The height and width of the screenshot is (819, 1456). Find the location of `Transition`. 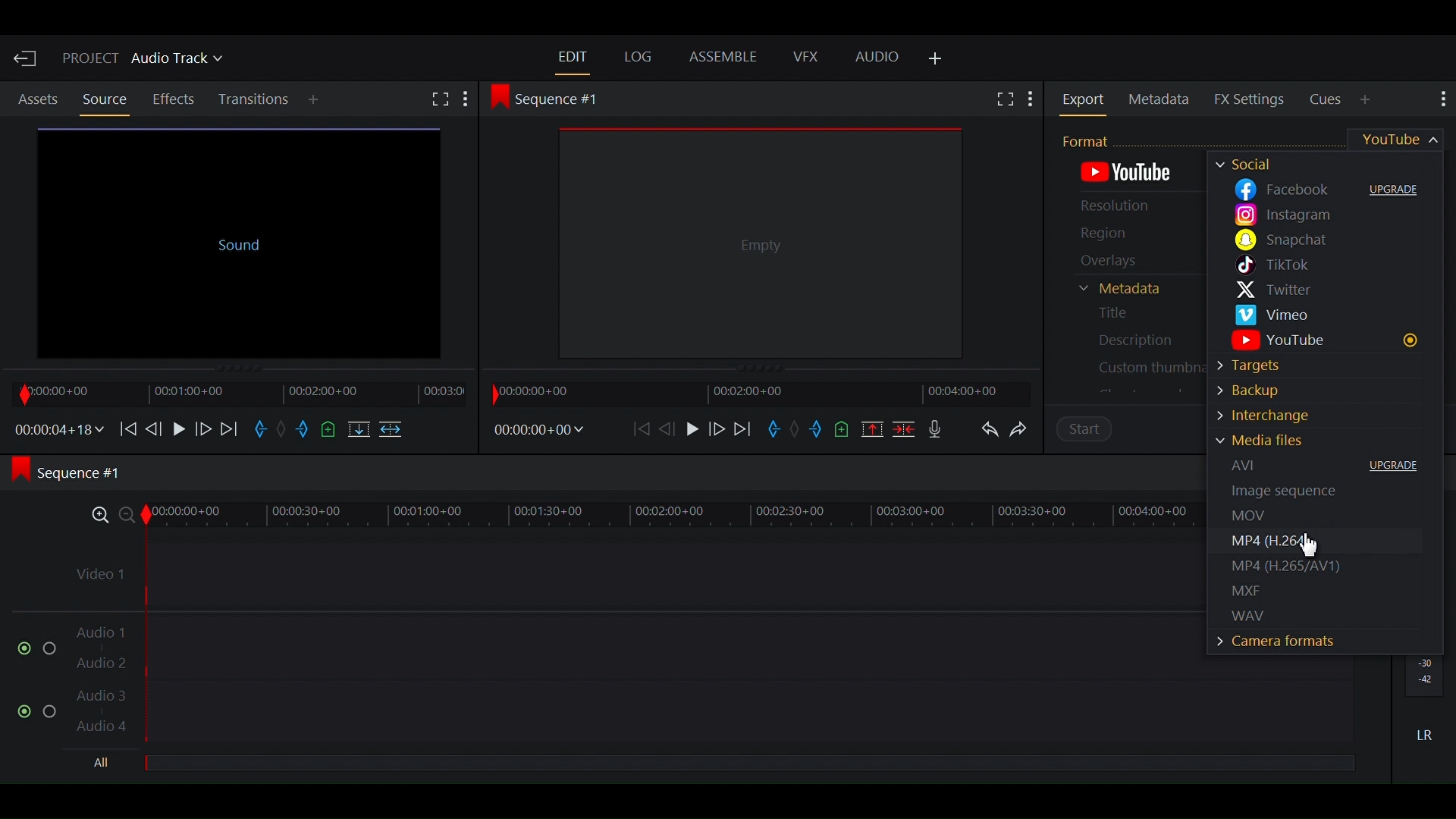

Transition is located at coordinates (256, 100).